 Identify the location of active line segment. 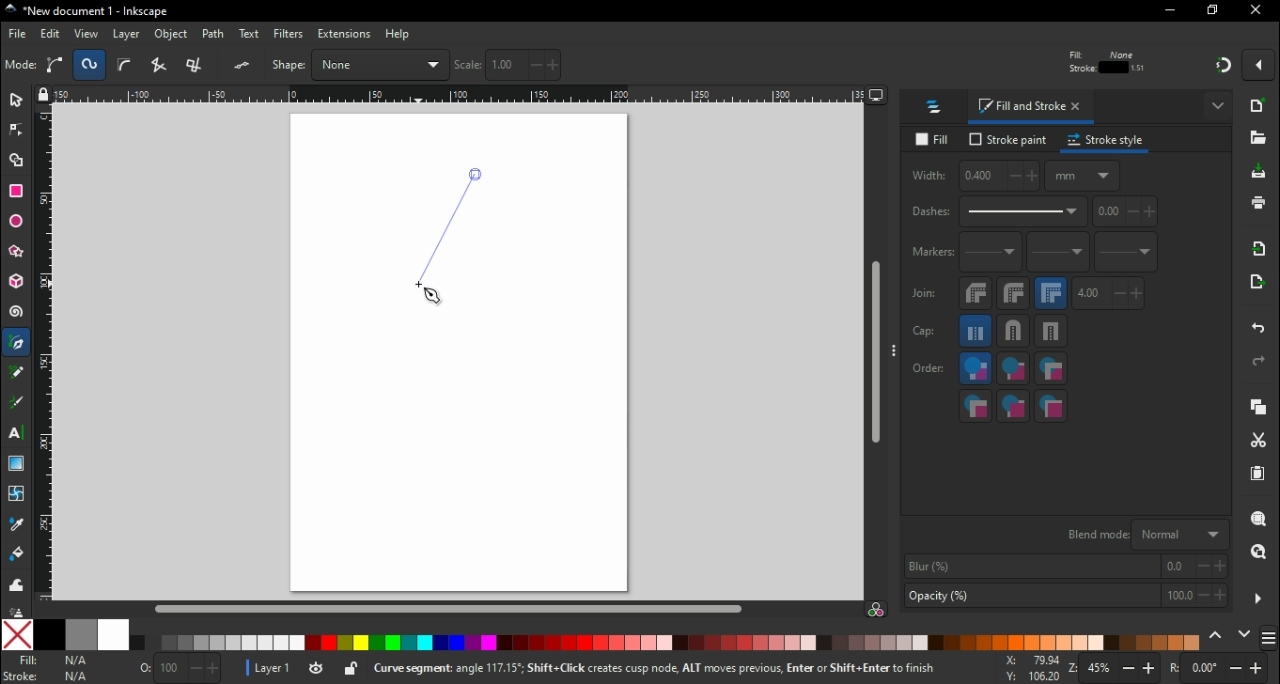
(448, 224).